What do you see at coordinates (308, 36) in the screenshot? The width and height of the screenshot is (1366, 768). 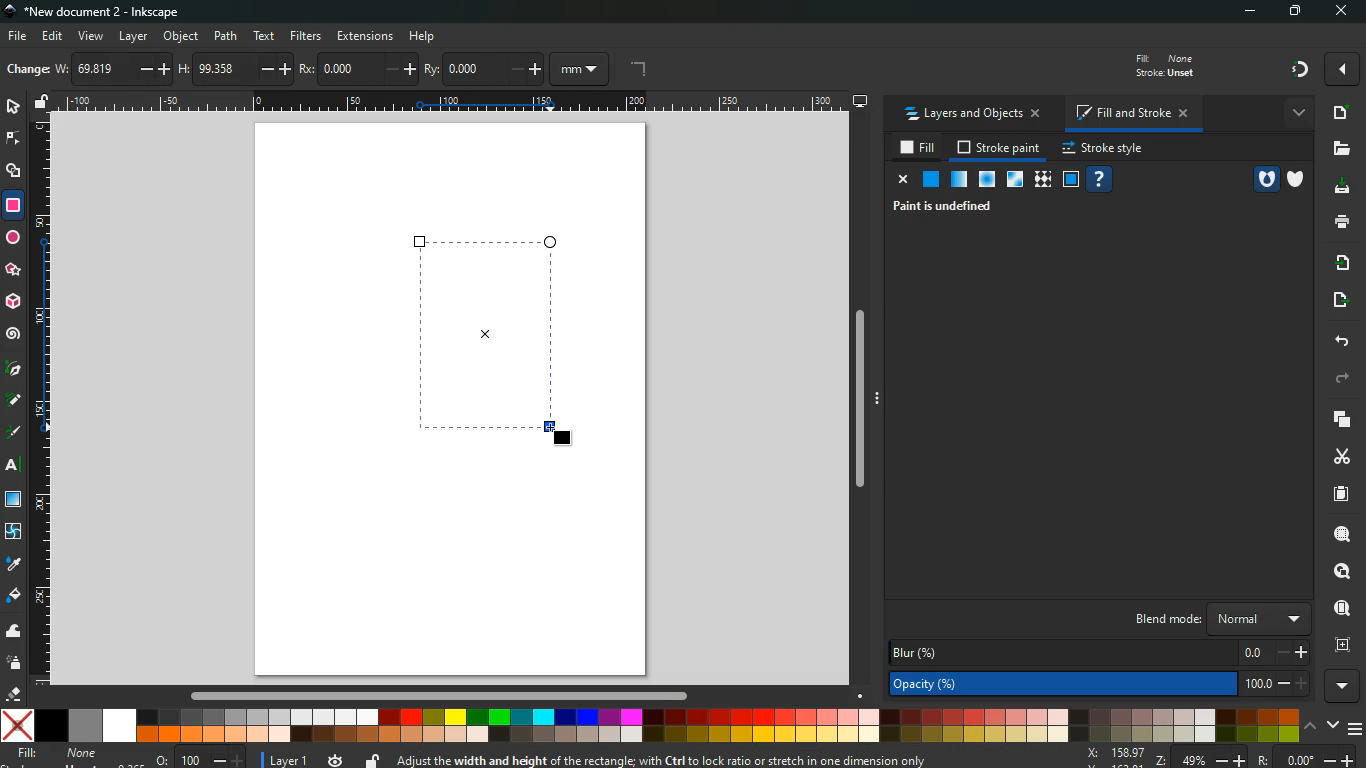 I see `filters` at bounding box center [308, 36].